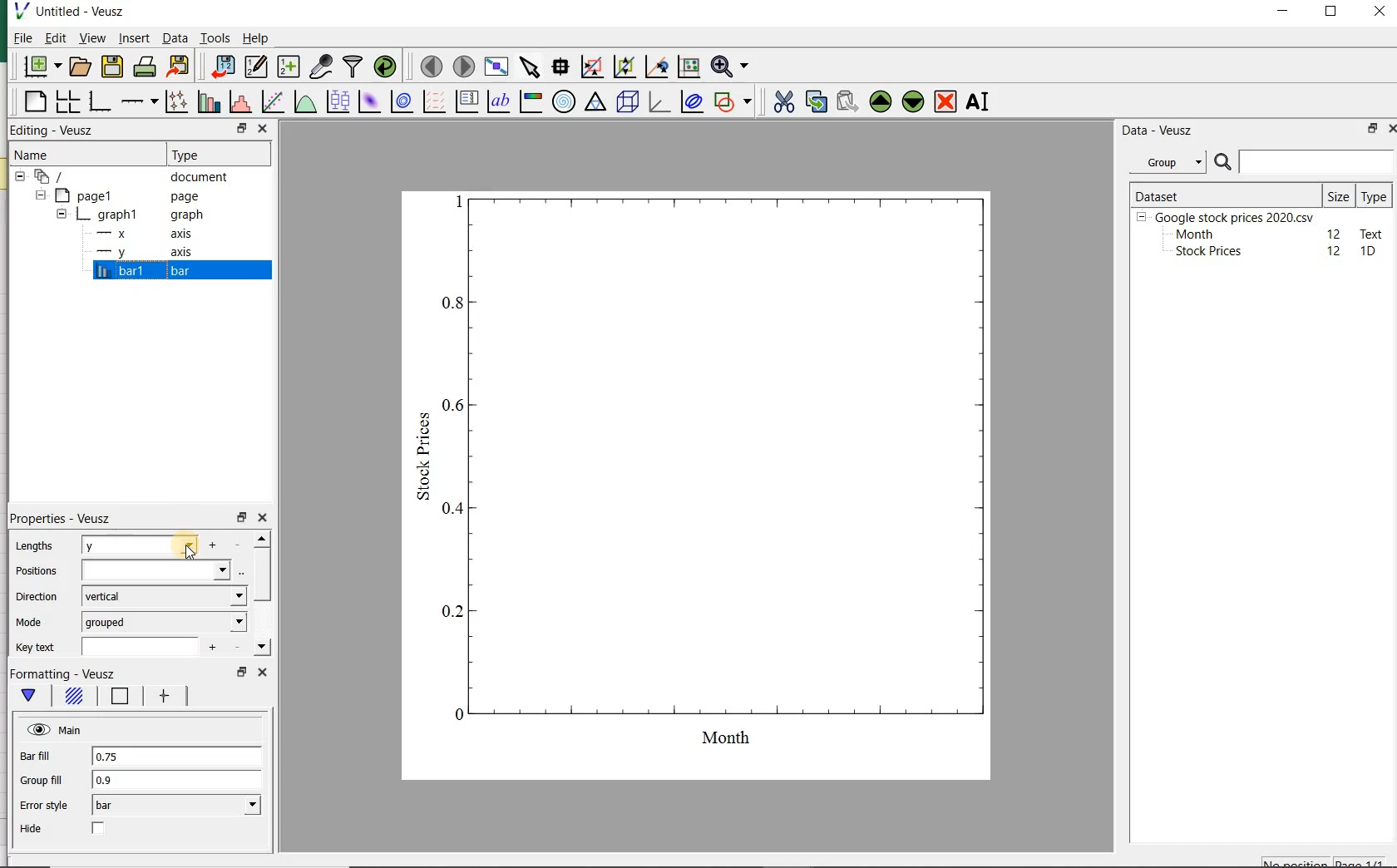 The image size is (1397, 868). I want to click on move to the previous page, so click(429, 65).